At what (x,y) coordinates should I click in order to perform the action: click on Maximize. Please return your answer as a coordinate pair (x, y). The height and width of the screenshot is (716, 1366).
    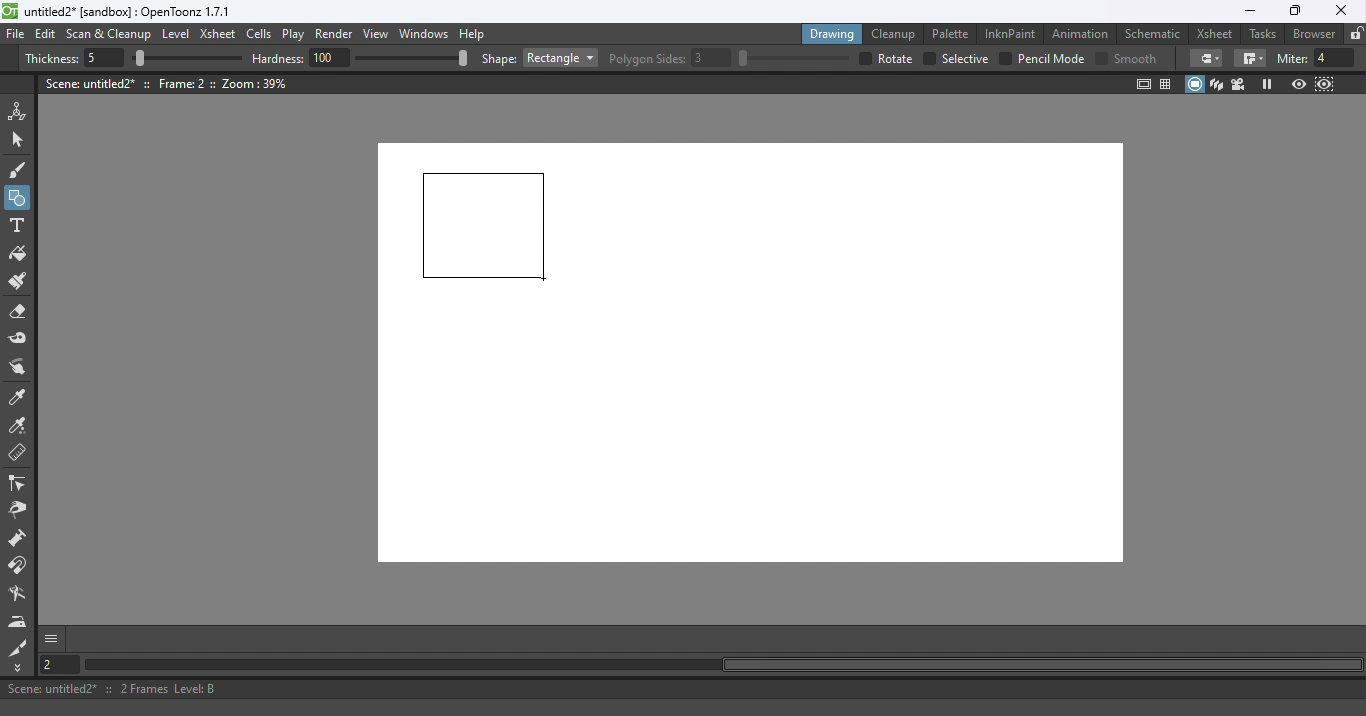
    Looking at the image, I should click on (1292, 12).